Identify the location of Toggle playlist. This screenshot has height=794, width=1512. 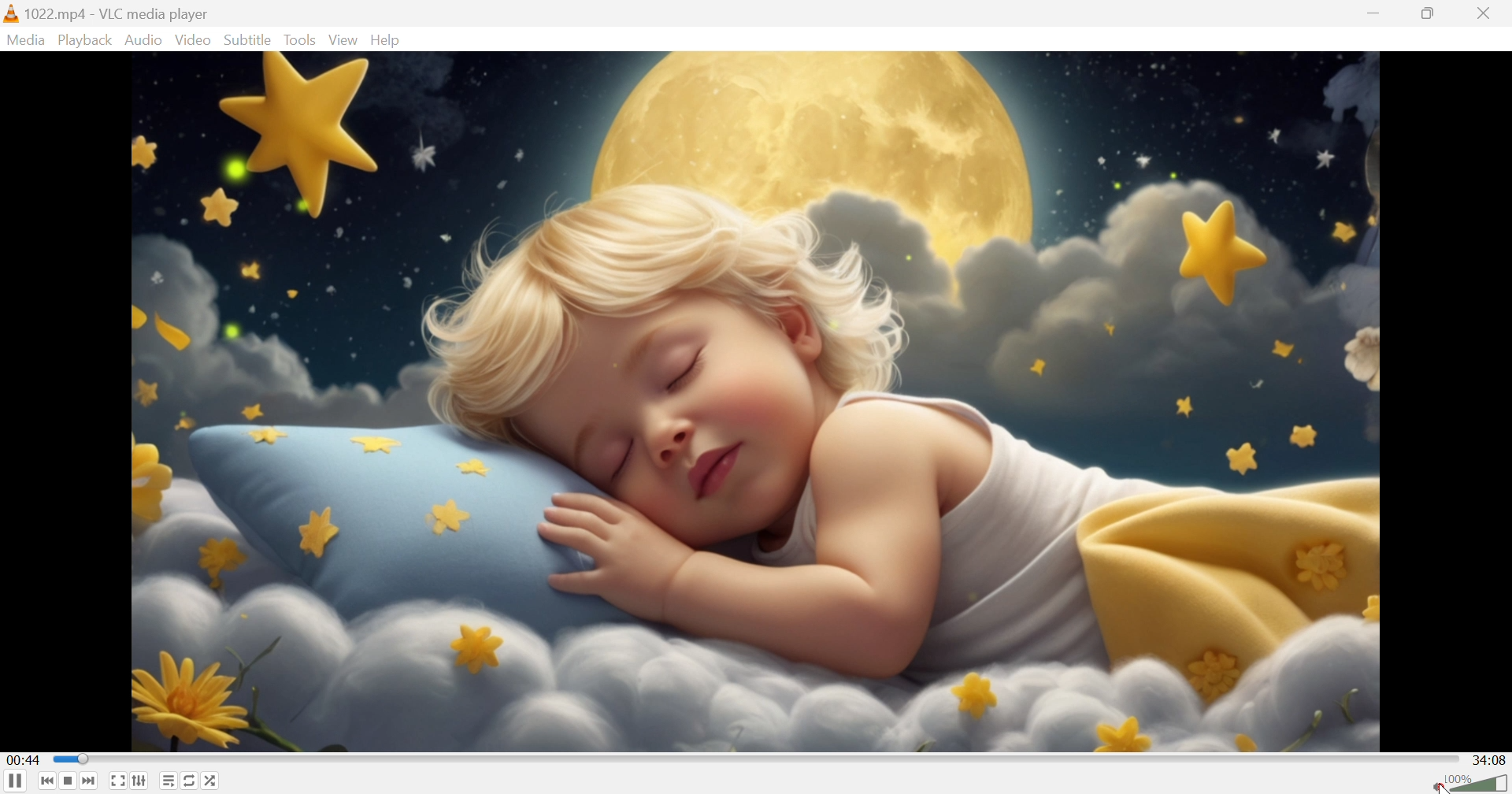
(165, 783).